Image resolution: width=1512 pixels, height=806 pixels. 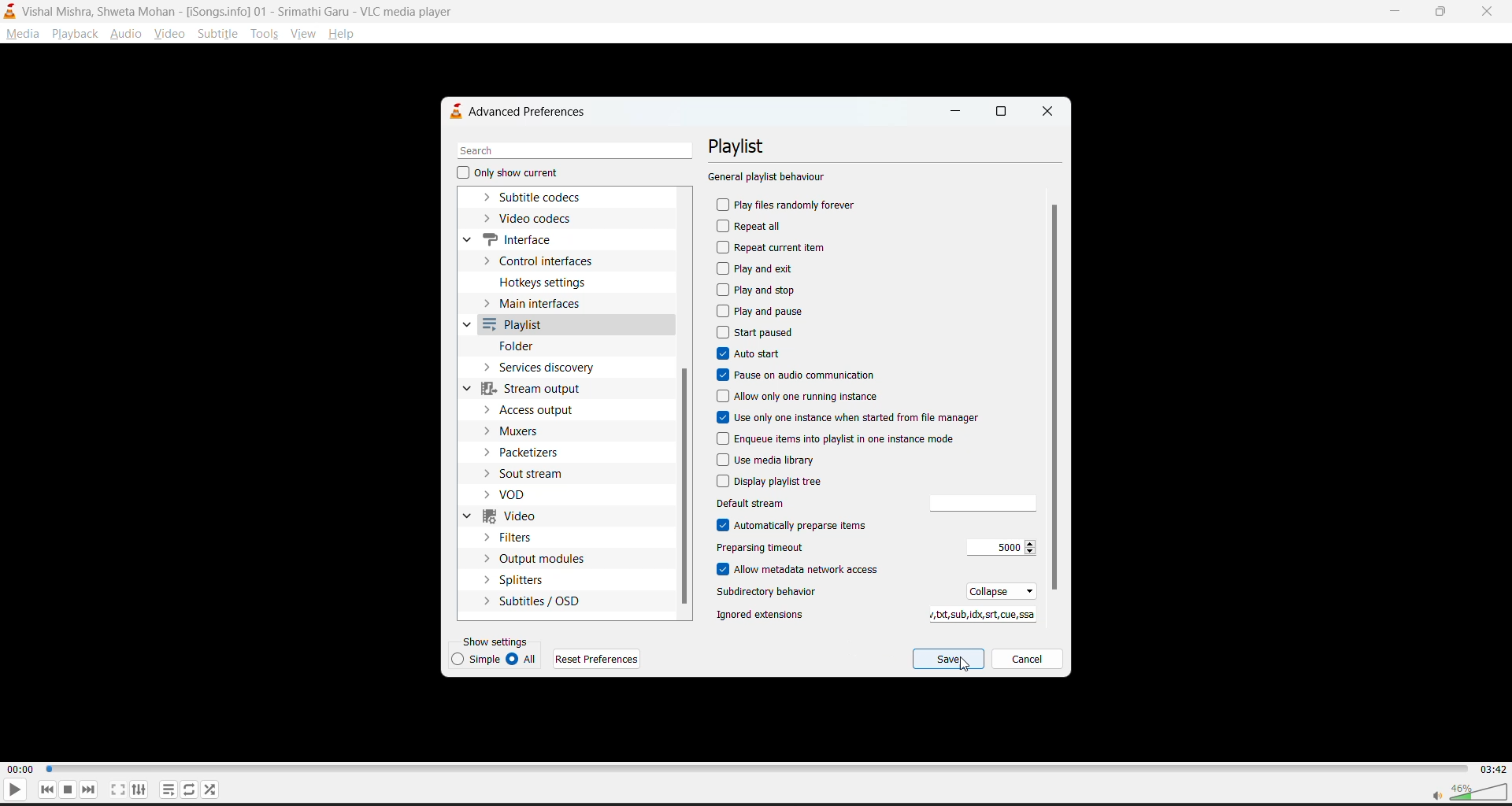 What do you see at coordinates (1488, 14) in the screenshot?
I see `close` at bounding box center [1488, 14].